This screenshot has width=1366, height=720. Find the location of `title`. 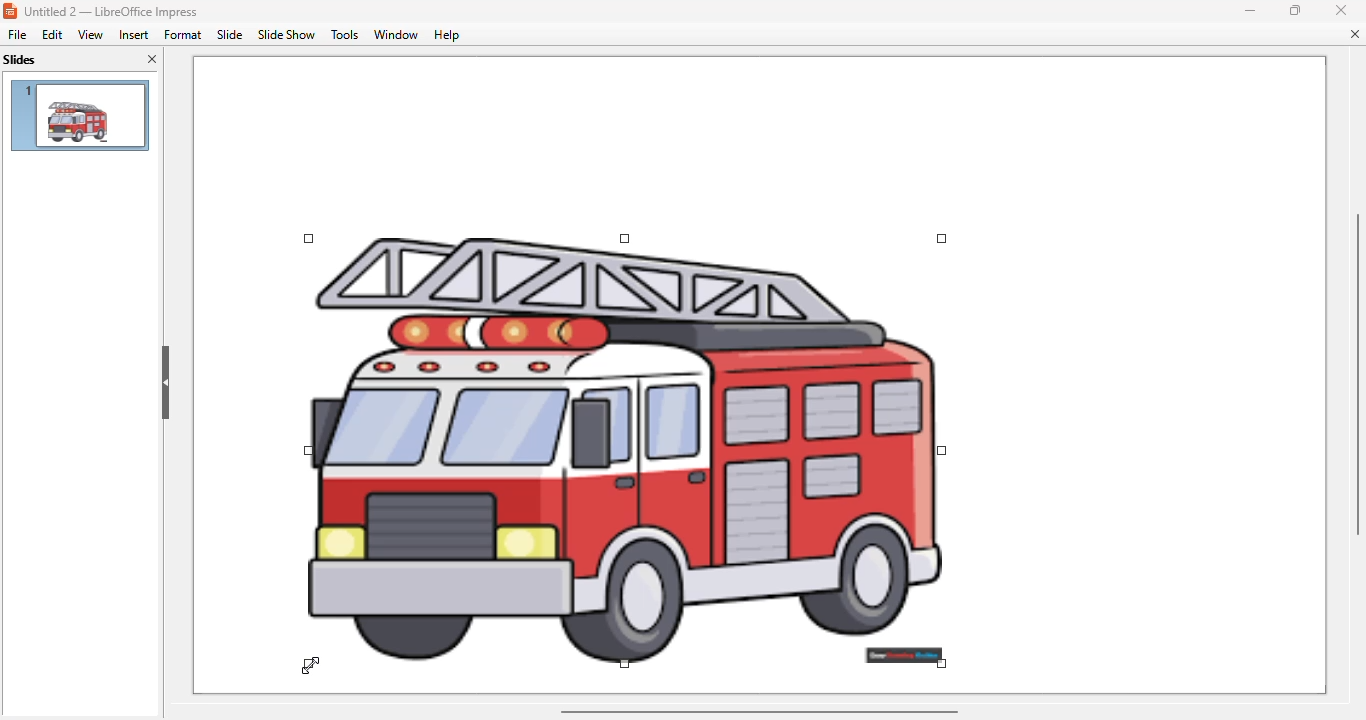

title is located at coordinates (111, 11).